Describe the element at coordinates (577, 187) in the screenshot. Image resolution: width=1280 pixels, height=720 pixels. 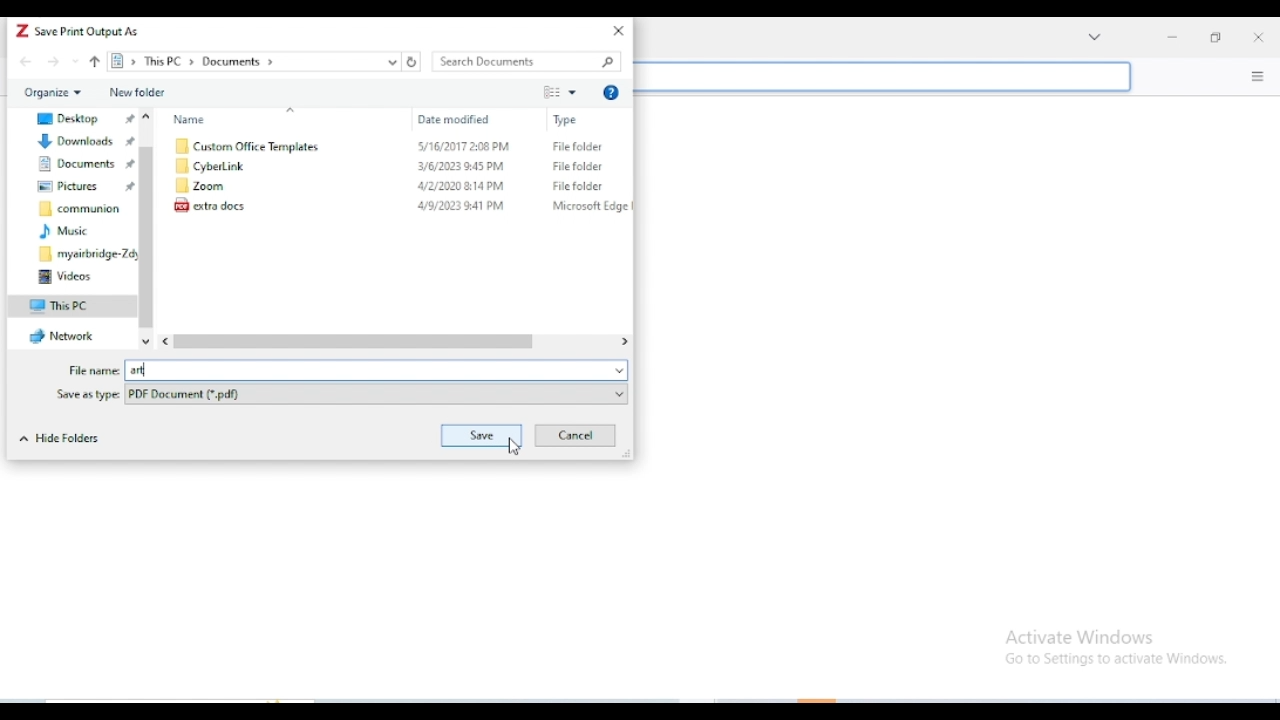
I see `File folder` at that location.